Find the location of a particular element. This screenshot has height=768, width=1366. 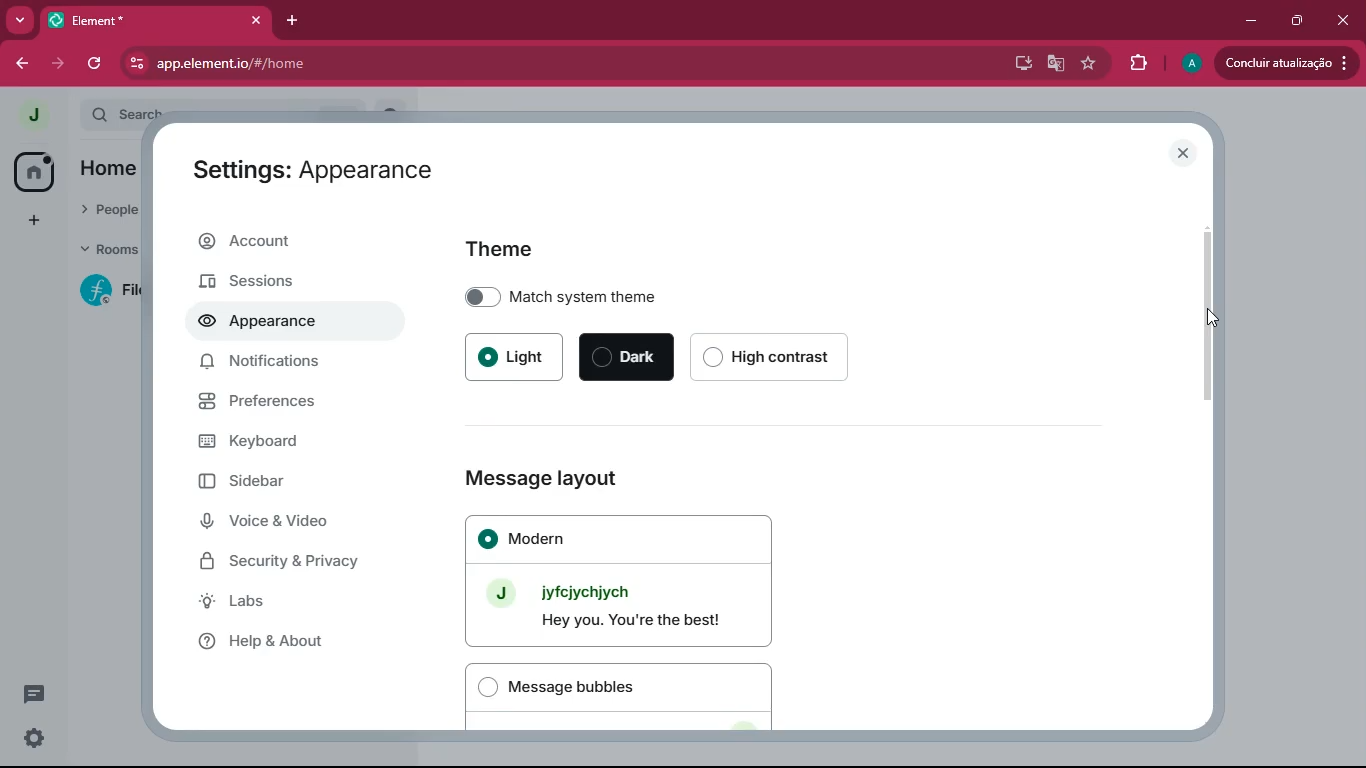

close is located at coordinates (1188, 154).